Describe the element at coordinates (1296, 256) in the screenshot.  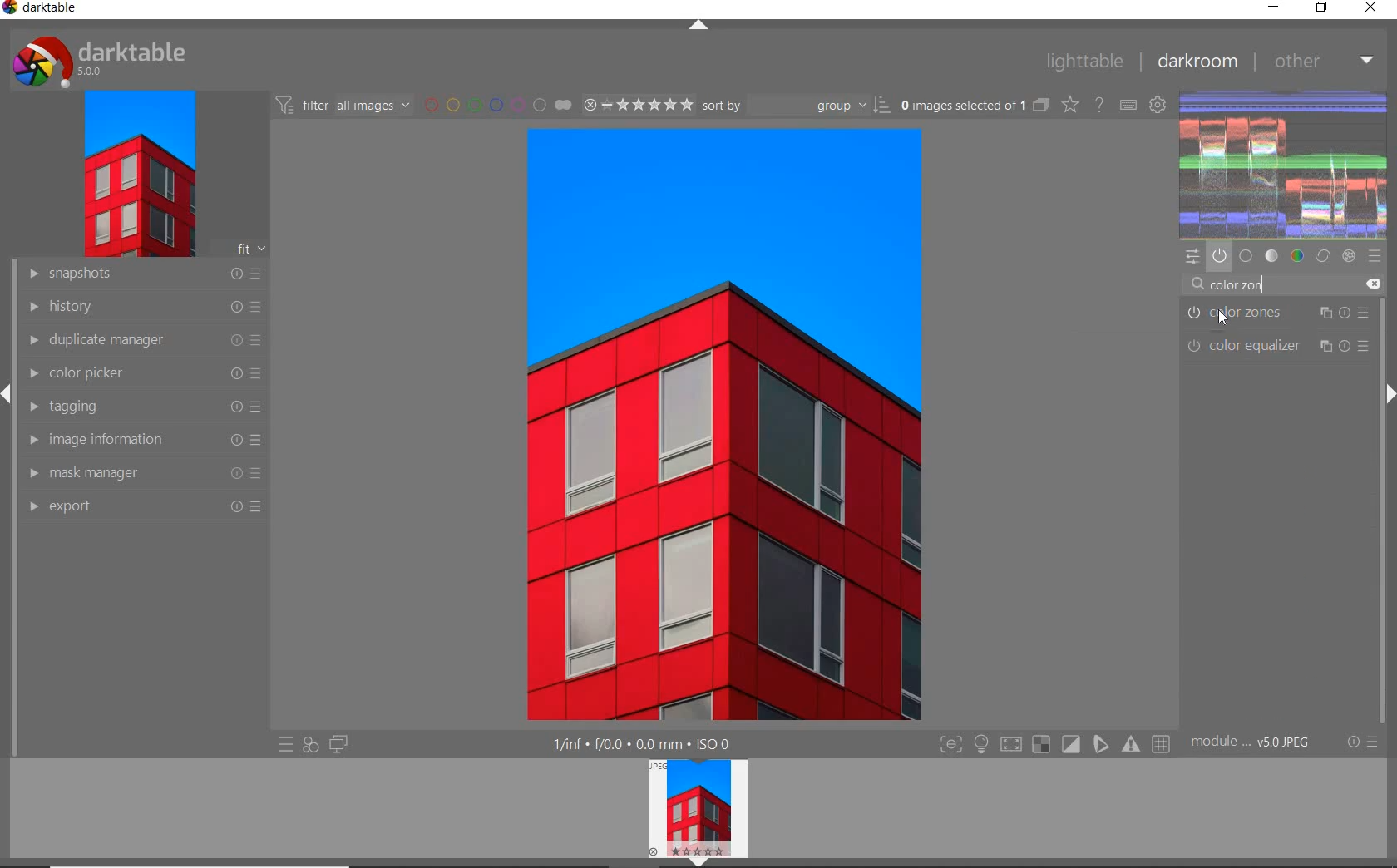
I see `color` at that location.